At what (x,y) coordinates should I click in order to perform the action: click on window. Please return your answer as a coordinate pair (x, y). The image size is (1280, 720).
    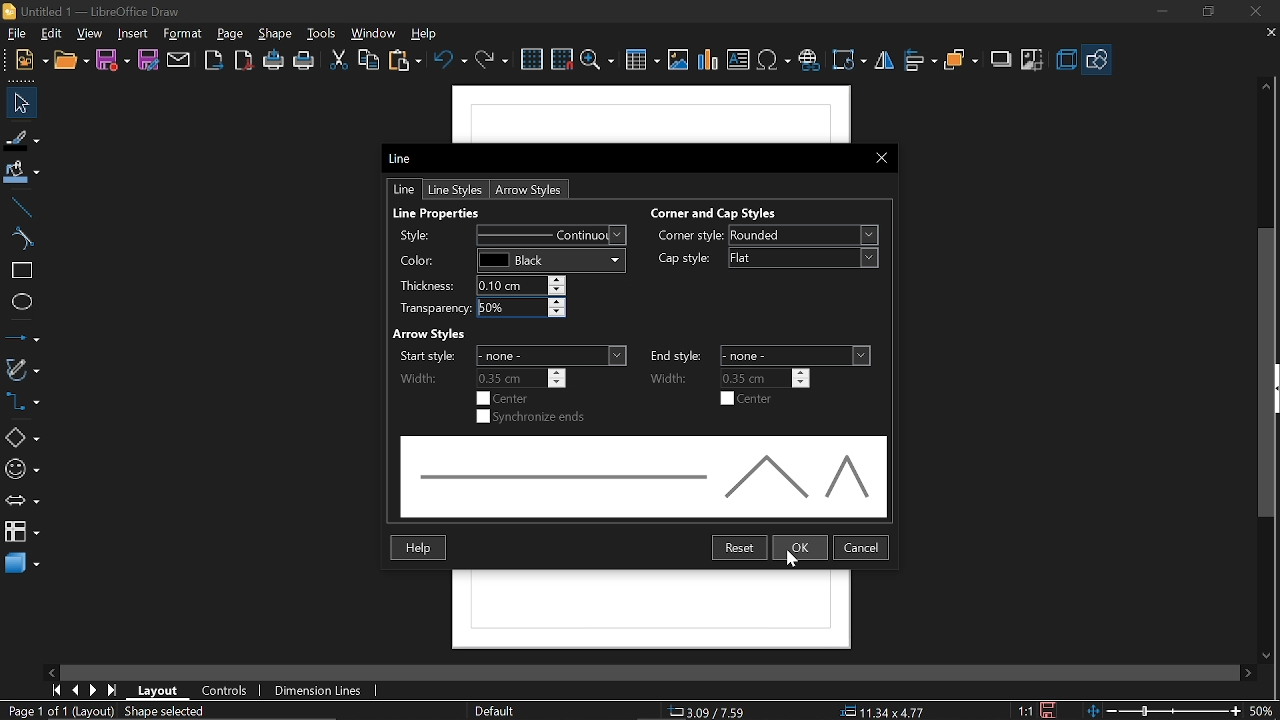
    Looking at the image, I should click on (376, 33).